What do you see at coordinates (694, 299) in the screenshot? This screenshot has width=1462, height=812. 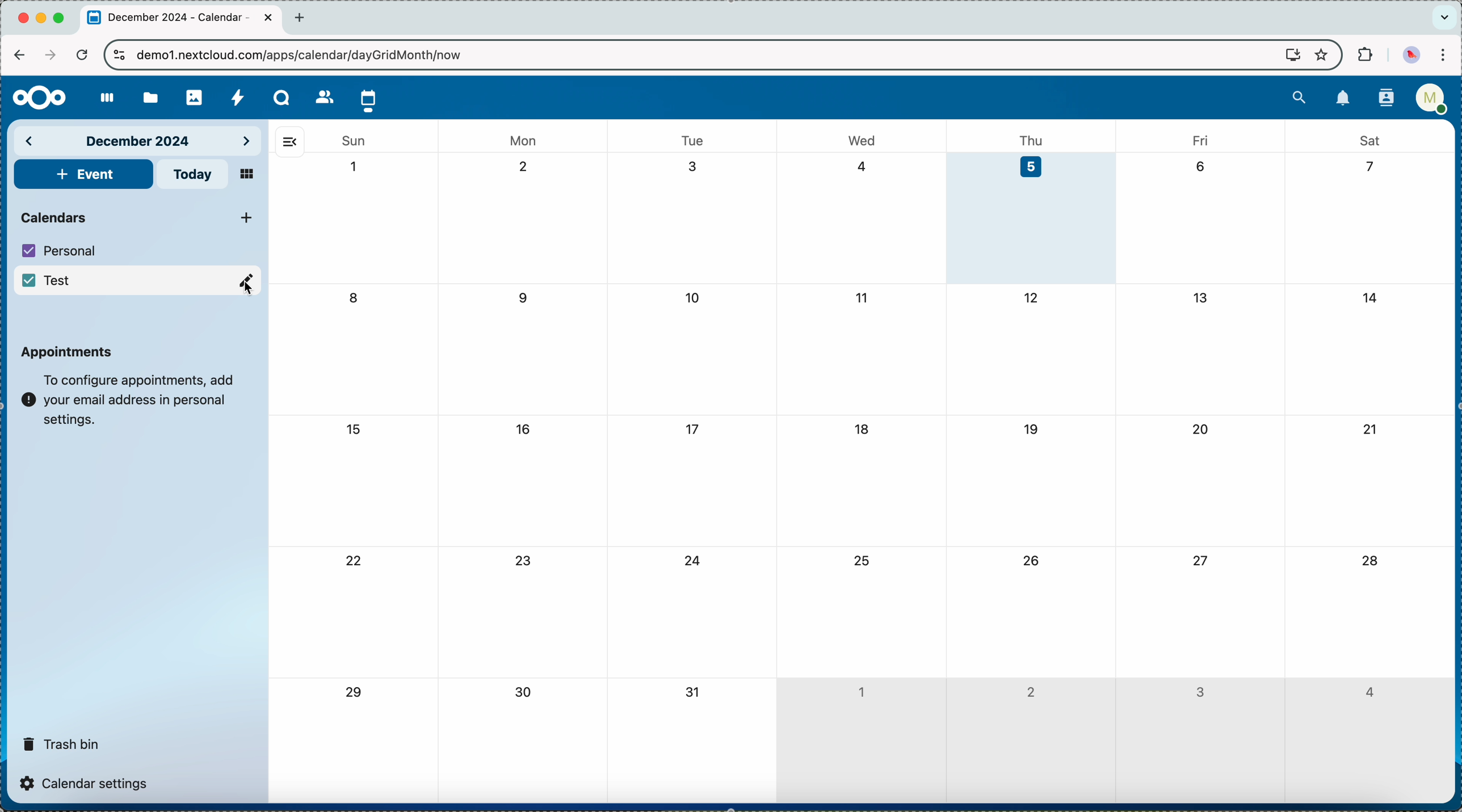 I see `10` at bounding box center [694, 299].